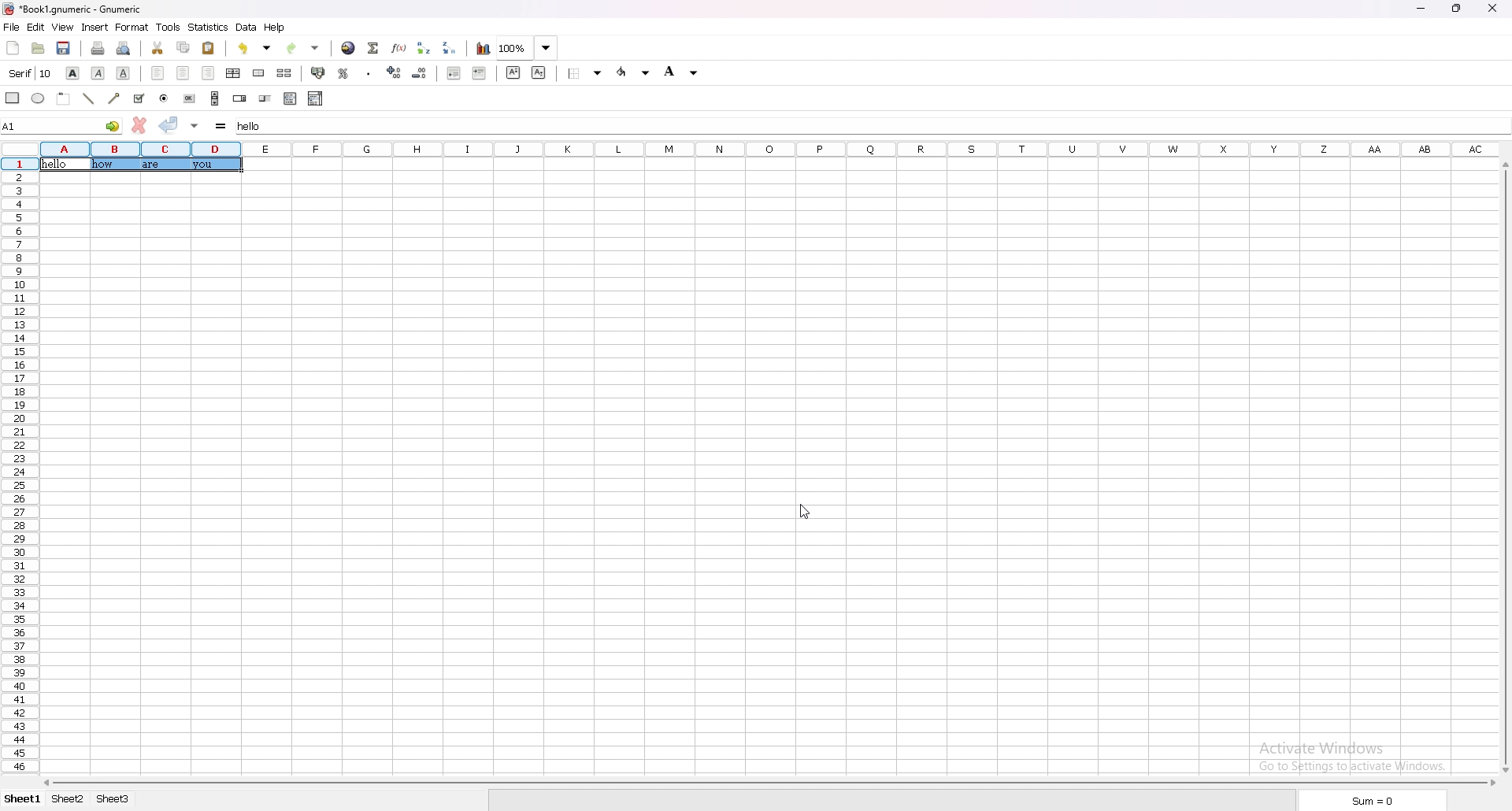 Image resolution: width=1512 pixels, height=811 pixels. Describe the element at coordinates (169, 124) in the screenshot. I see `accept changes` at that location.